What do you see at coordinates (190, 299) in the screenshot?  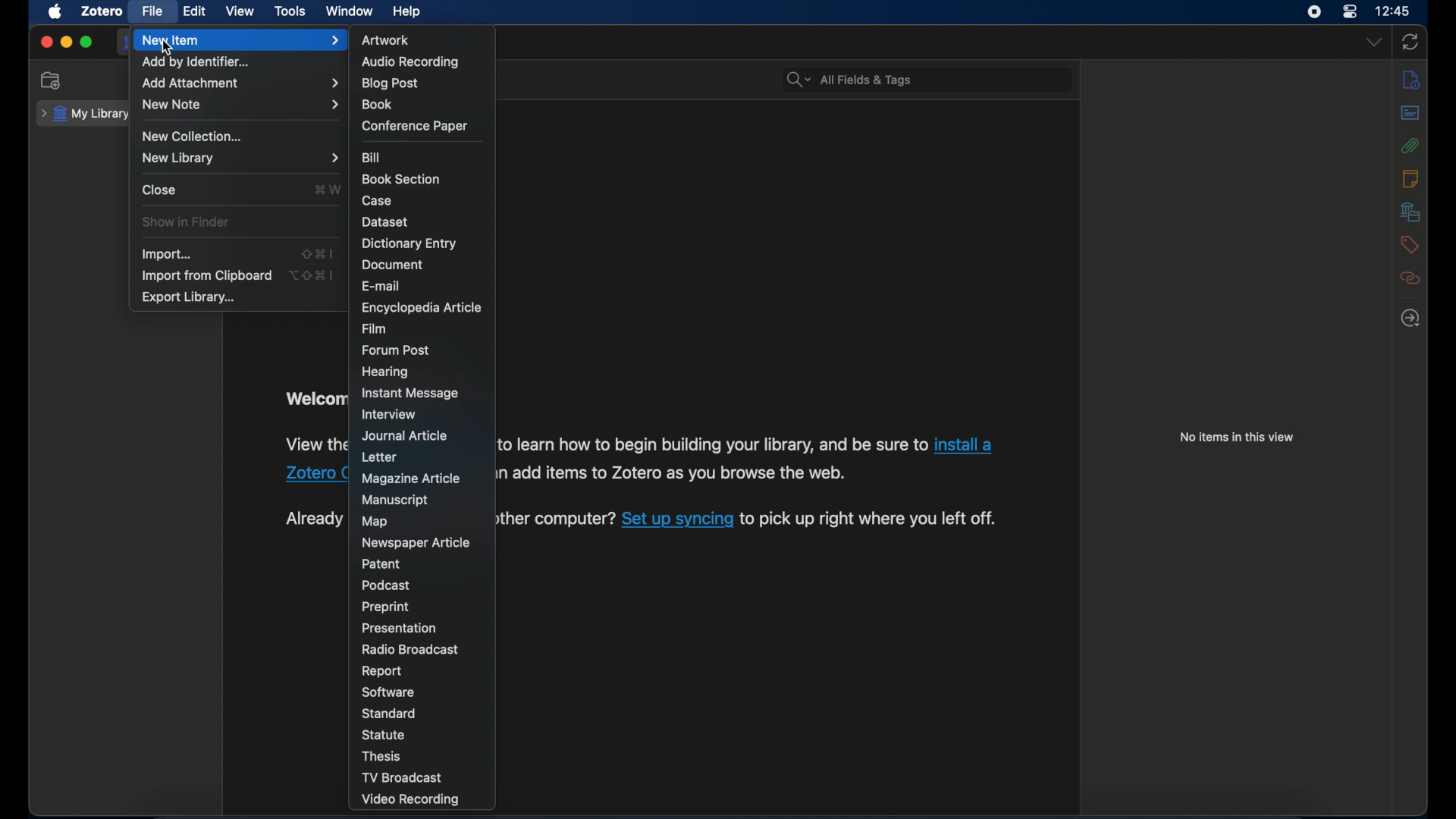 I see `export library` at bounding box center [190, 299].